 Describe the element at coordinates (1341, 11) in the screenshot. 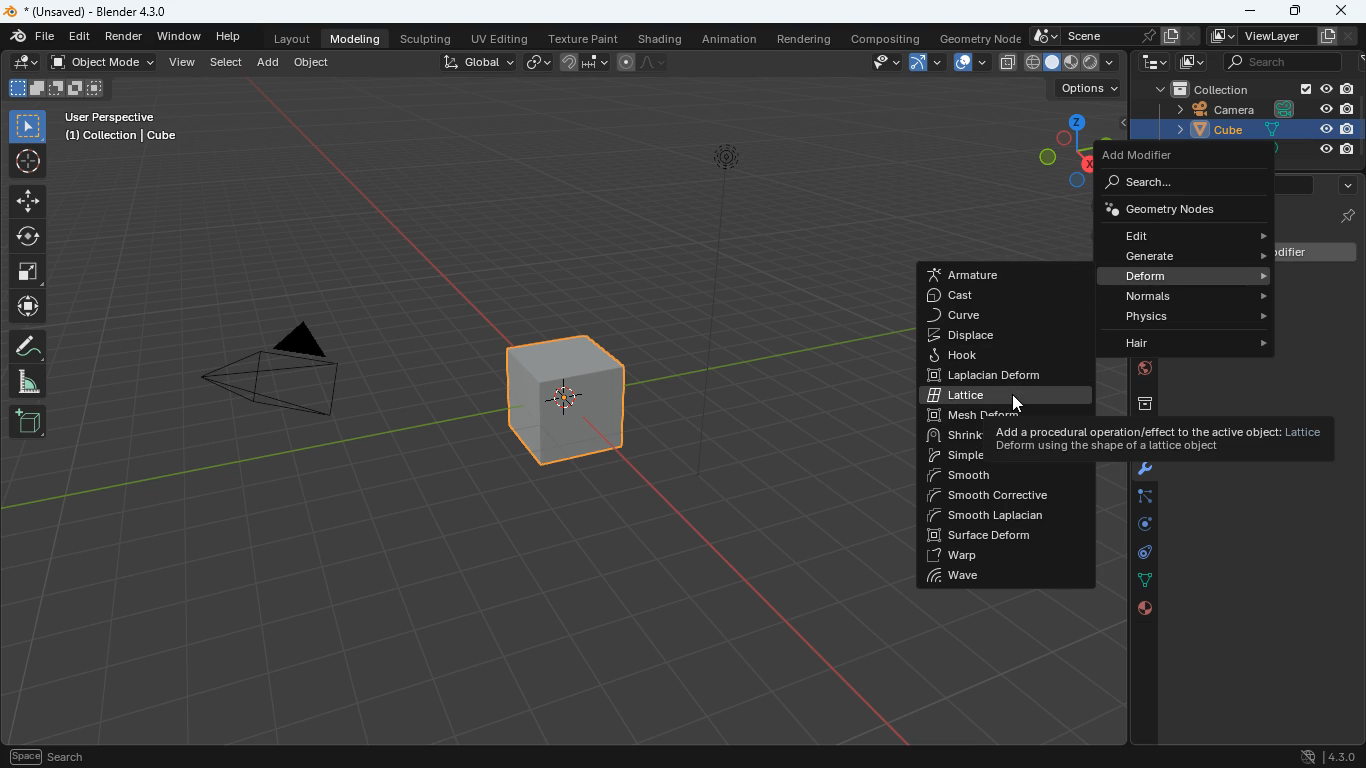

I see `close` at that location.